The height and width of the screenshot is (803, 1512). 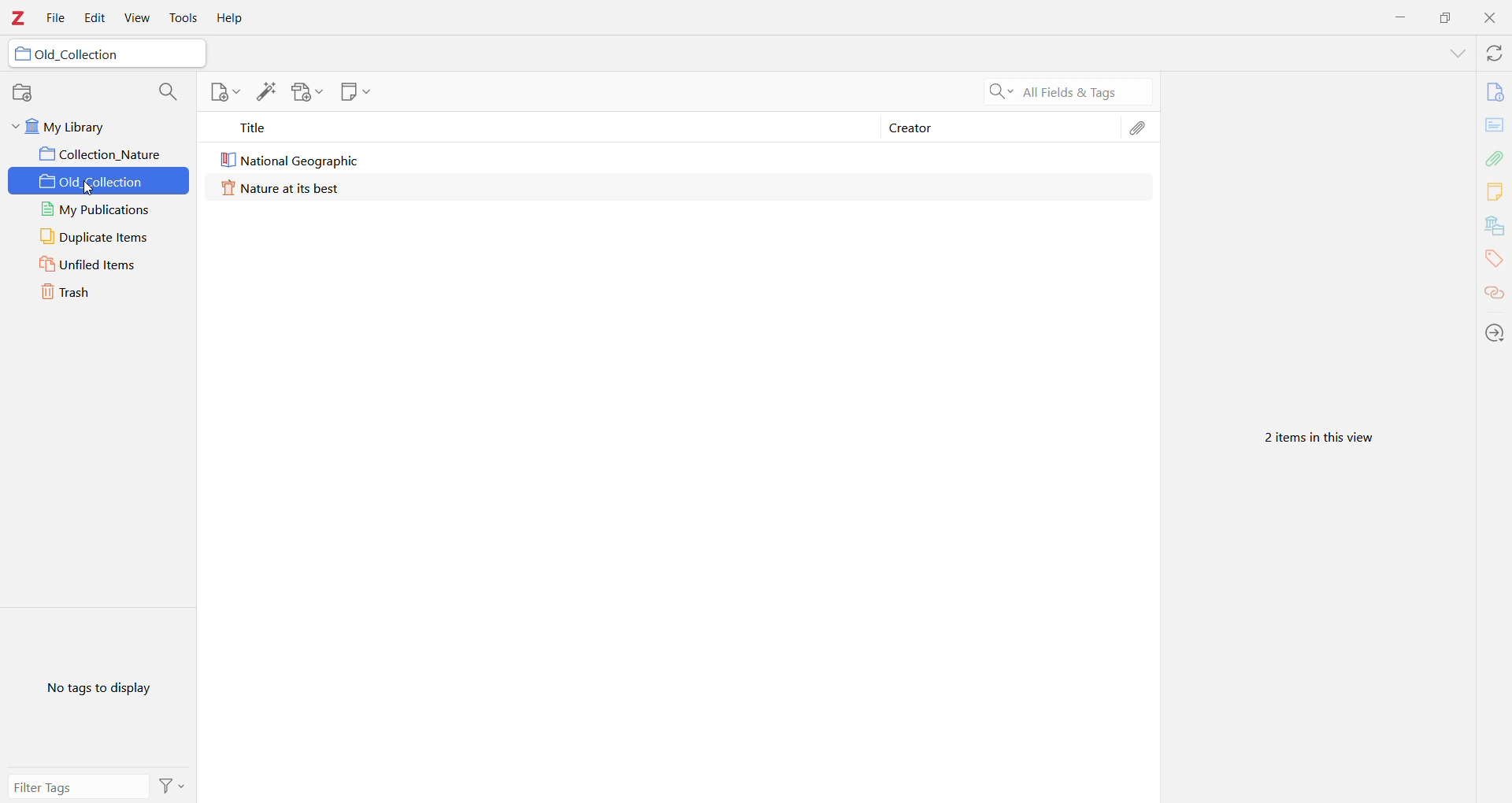 What do you see at coordinates (1327, 439) in the screenshot?
I see `2 items in this view` at bounding box center [1327, 439].